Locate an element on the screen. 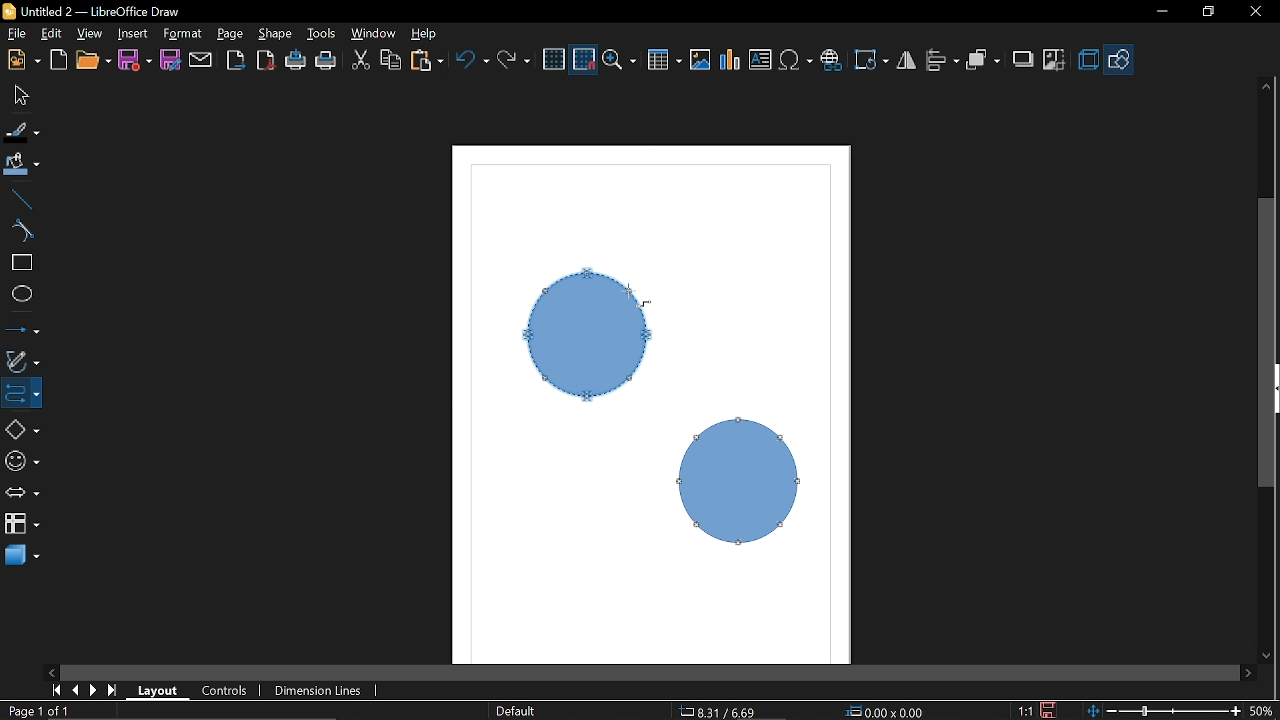  Insert is located at coordinates (131, 33).